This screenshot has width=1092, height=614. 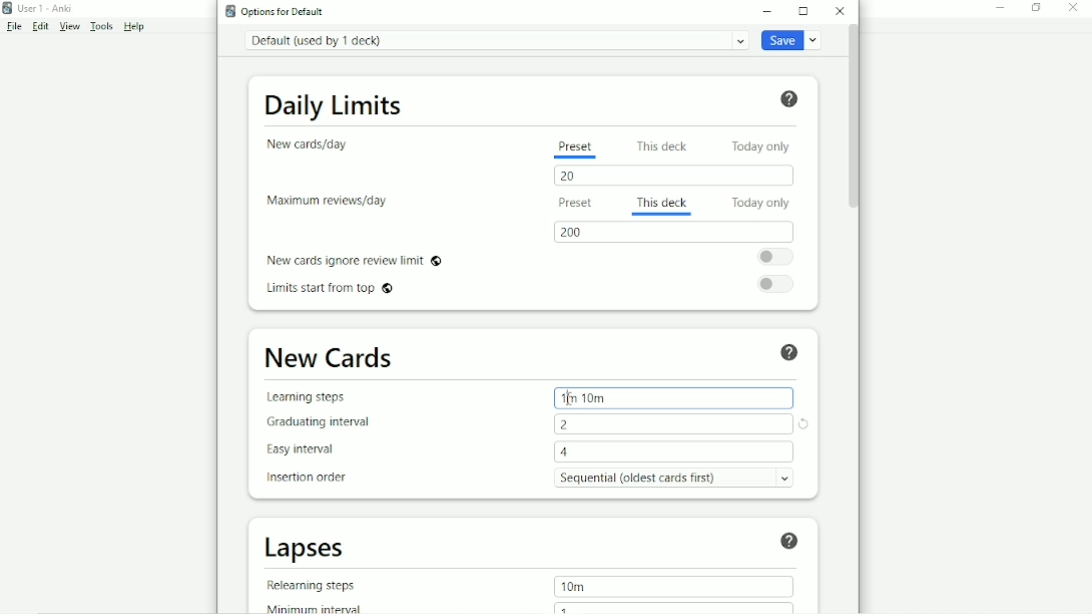 What do you see at coordinates (569, 425) in the screenshot?
I see `2` at bounding box center [569, 425].